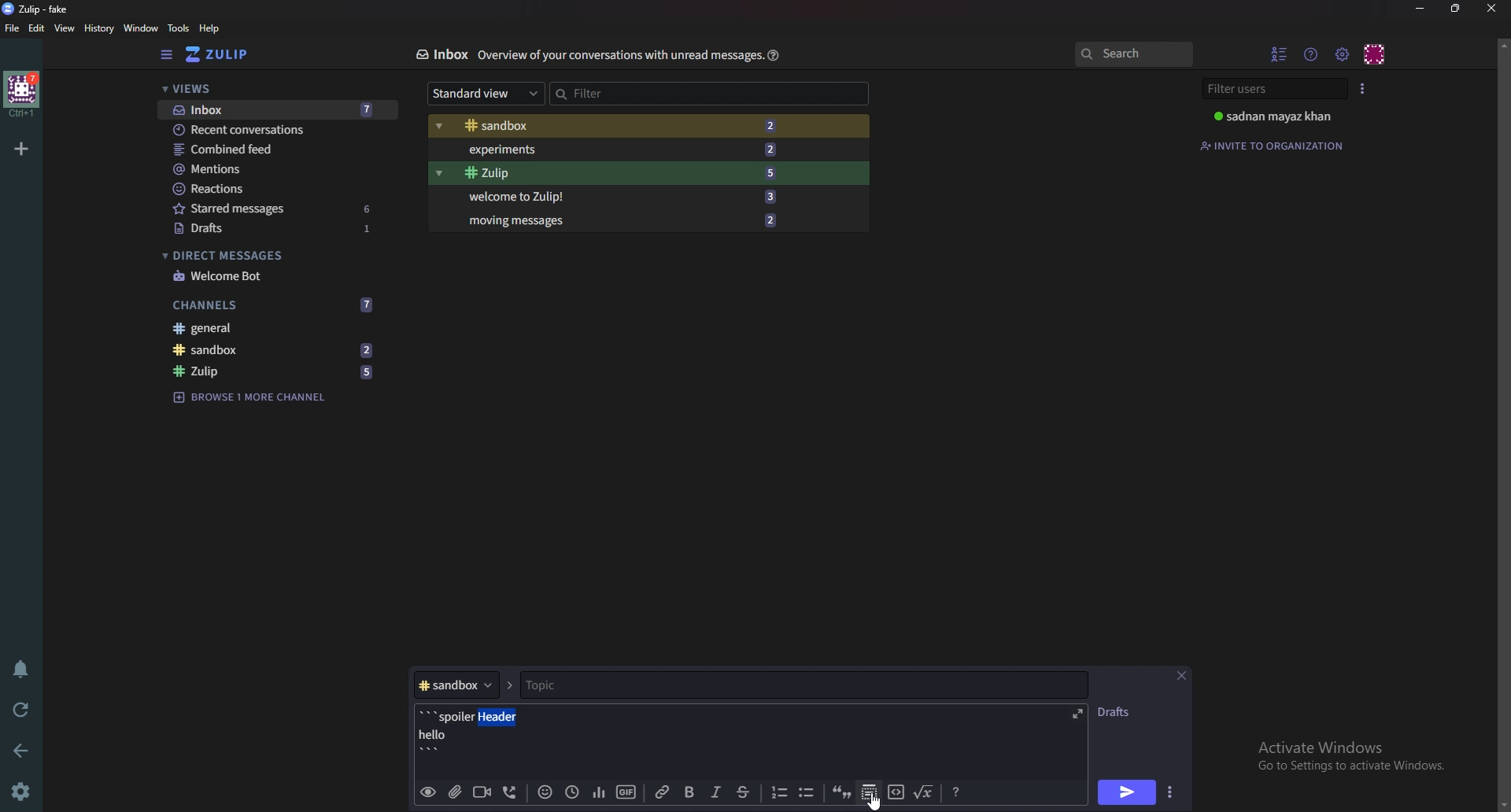  Describe the element at coordinates (474, 733) in the screenshot. I see `'''Spoiler header hello'''` at that location.